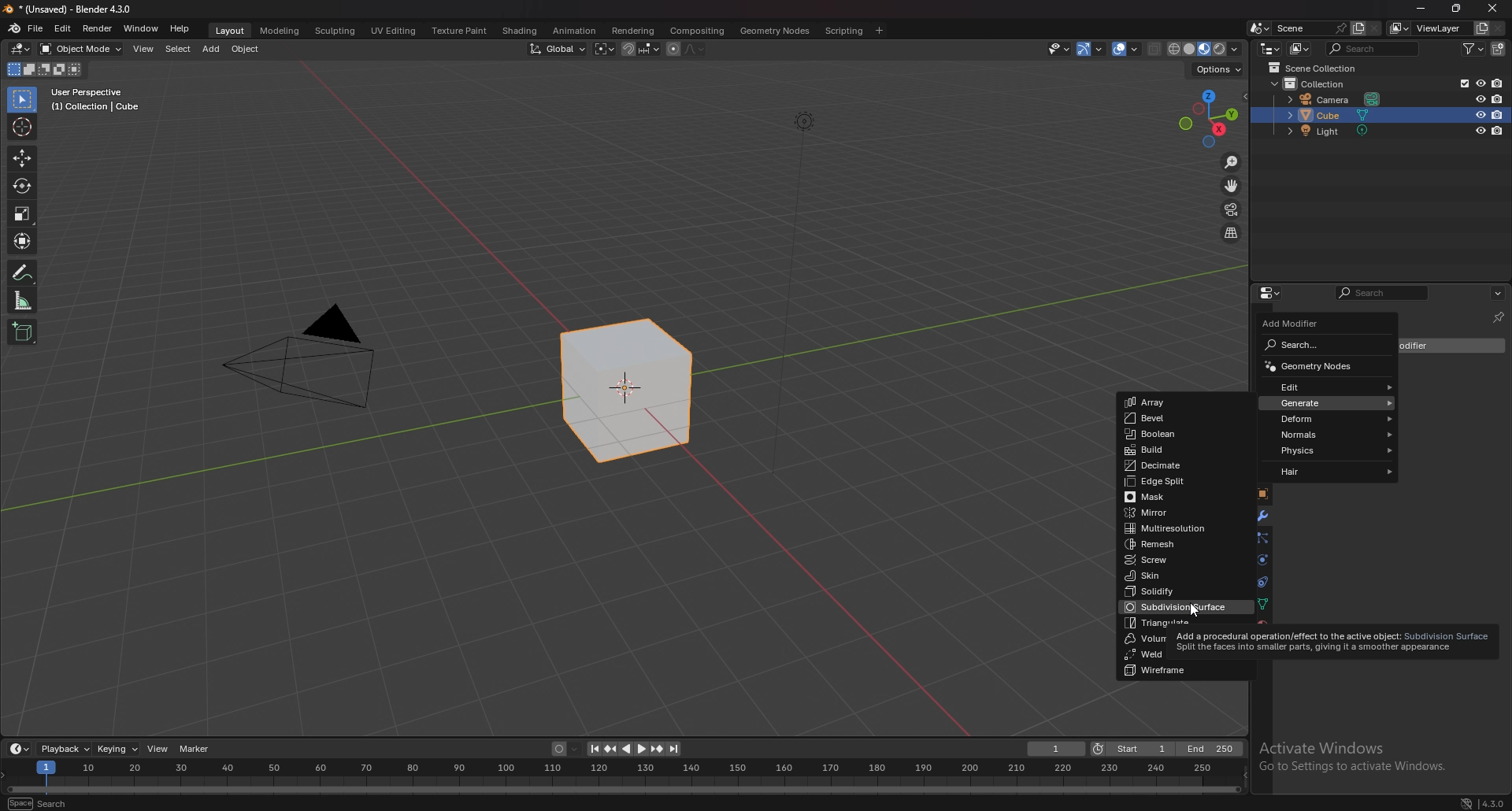  I want to click on editor type, so click(1269, 49).